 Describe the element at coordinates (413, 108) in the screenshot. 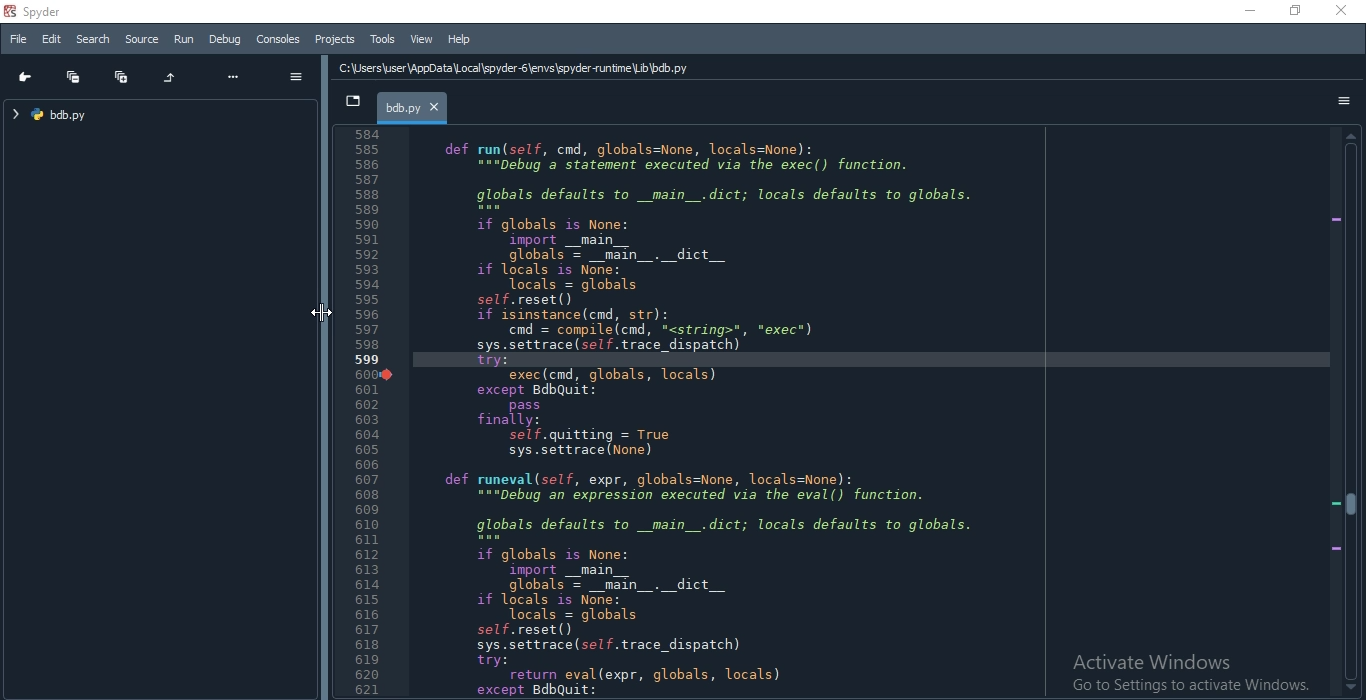

I see `bdb.py` at that location.